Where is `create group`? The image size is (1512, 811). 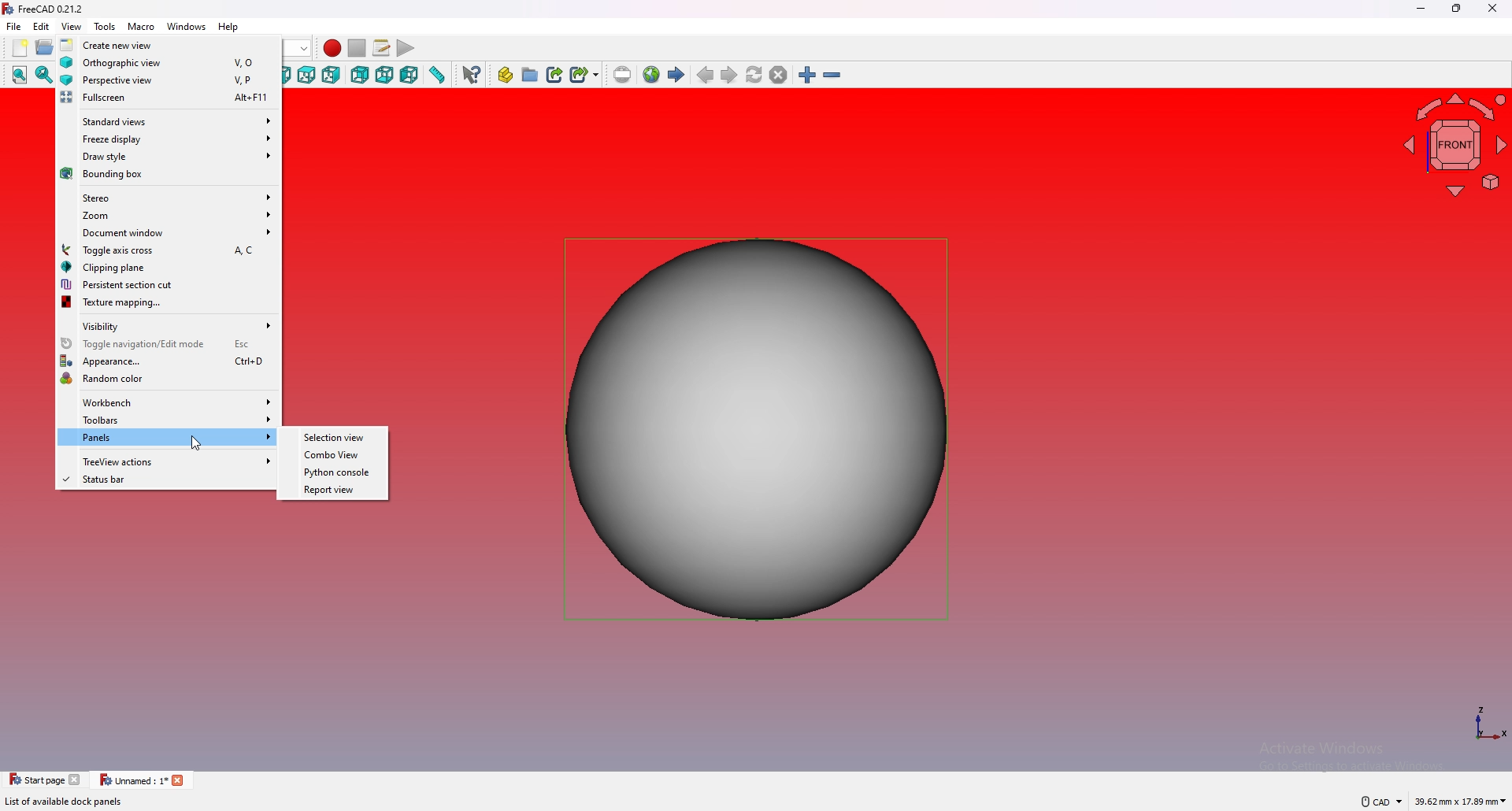 create group is located at coordinates (530, 75).